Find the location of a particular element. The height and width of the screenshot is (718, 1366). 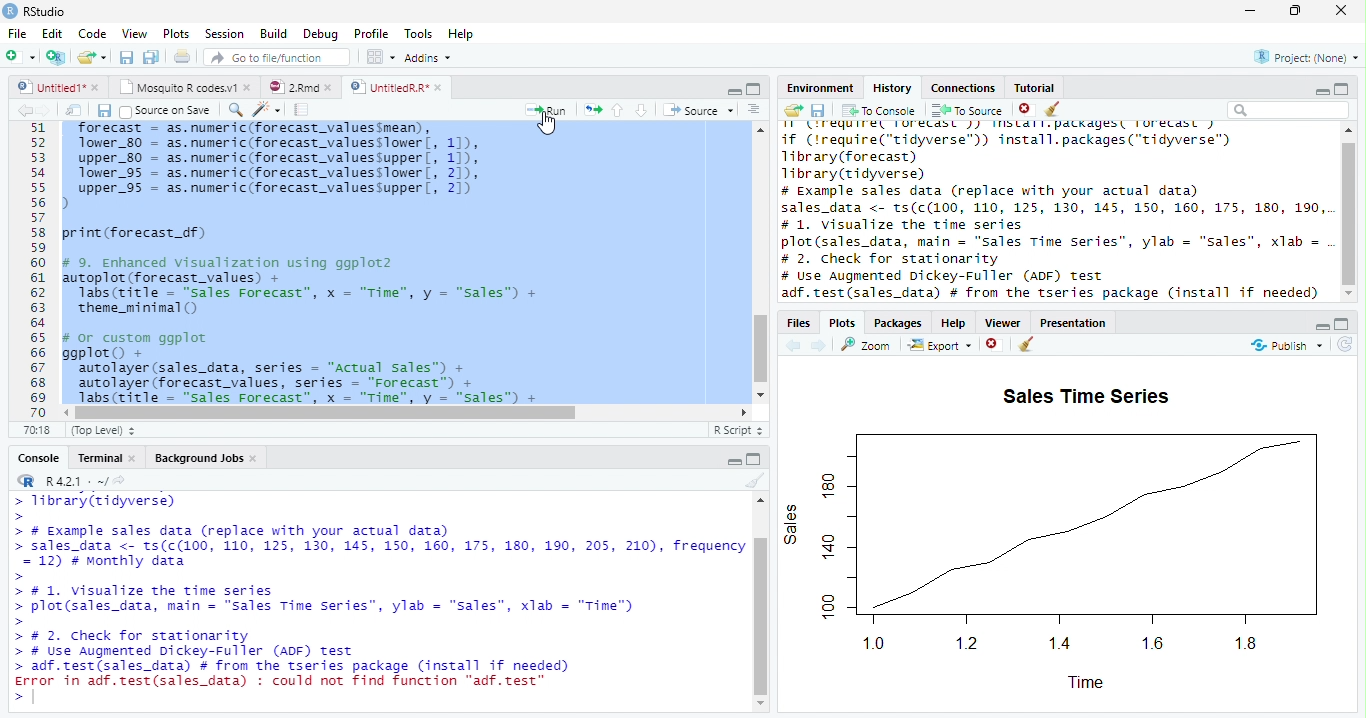

Untitled1 is located at coordinates (58, 87).